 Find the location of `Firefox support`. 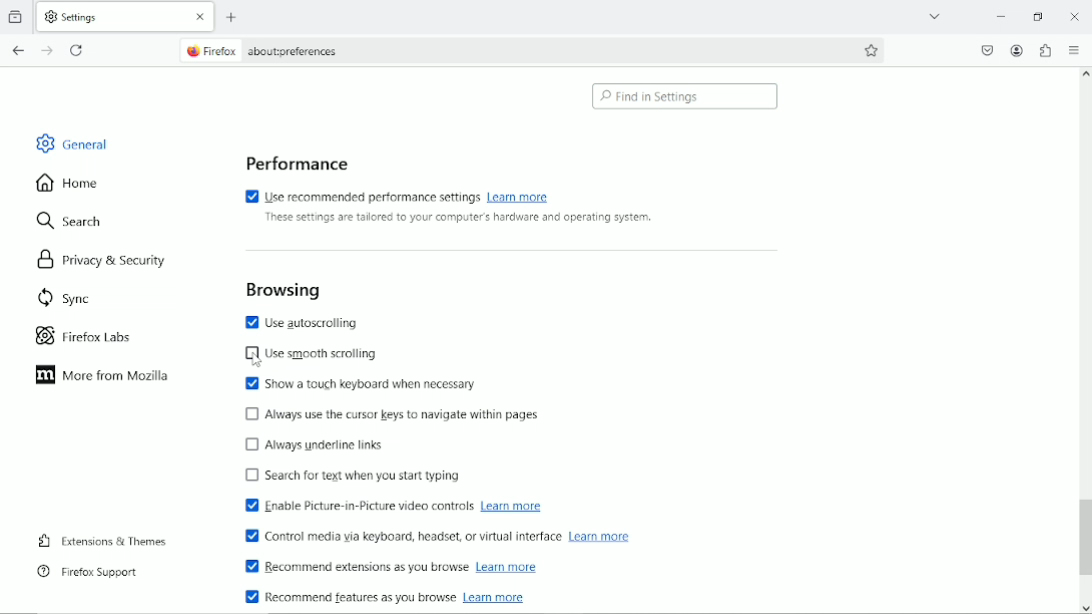

Firefox support is located at coordinates (88, 571).